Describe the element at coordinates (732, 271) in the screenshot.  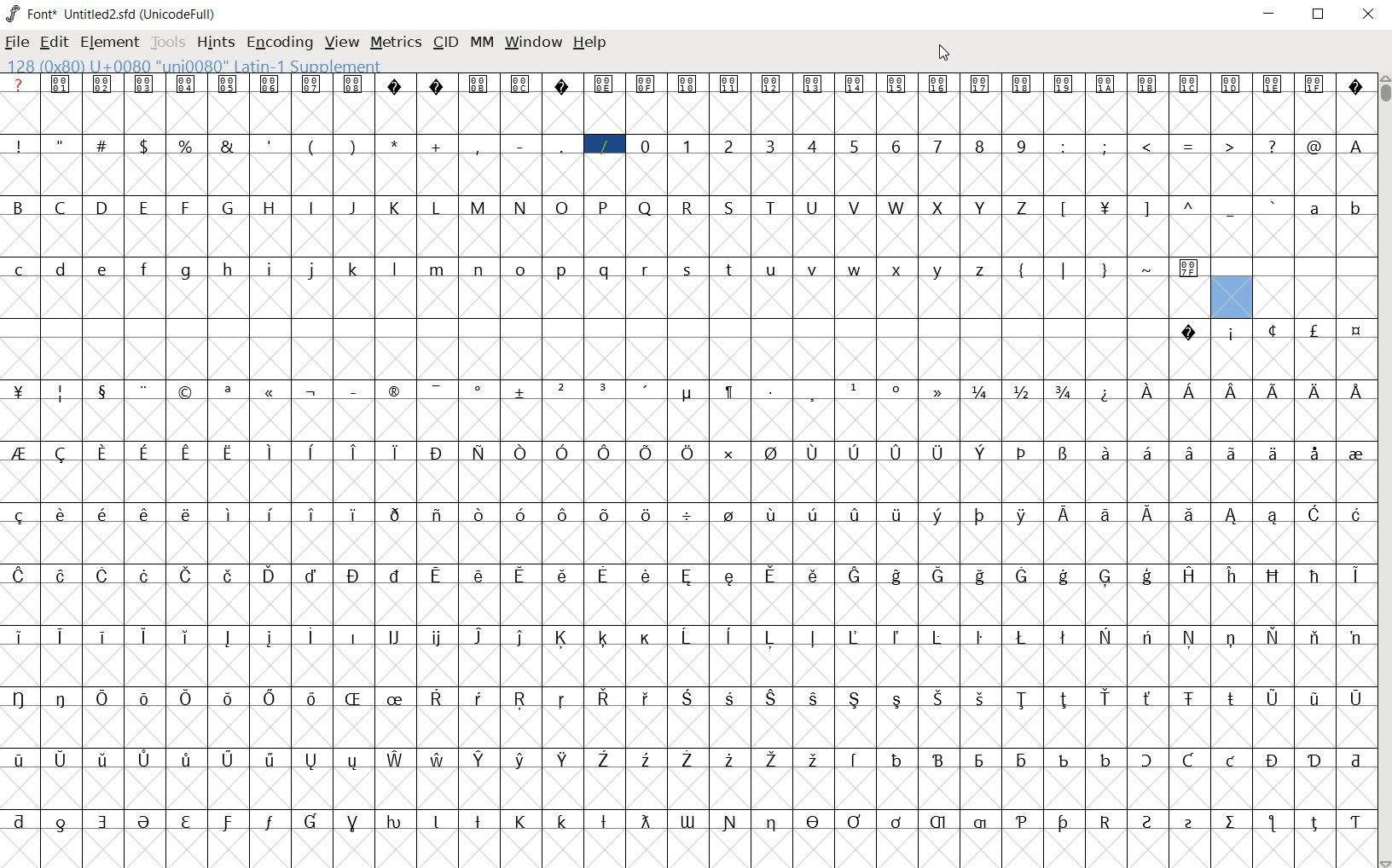
I see `glyph` at that location.